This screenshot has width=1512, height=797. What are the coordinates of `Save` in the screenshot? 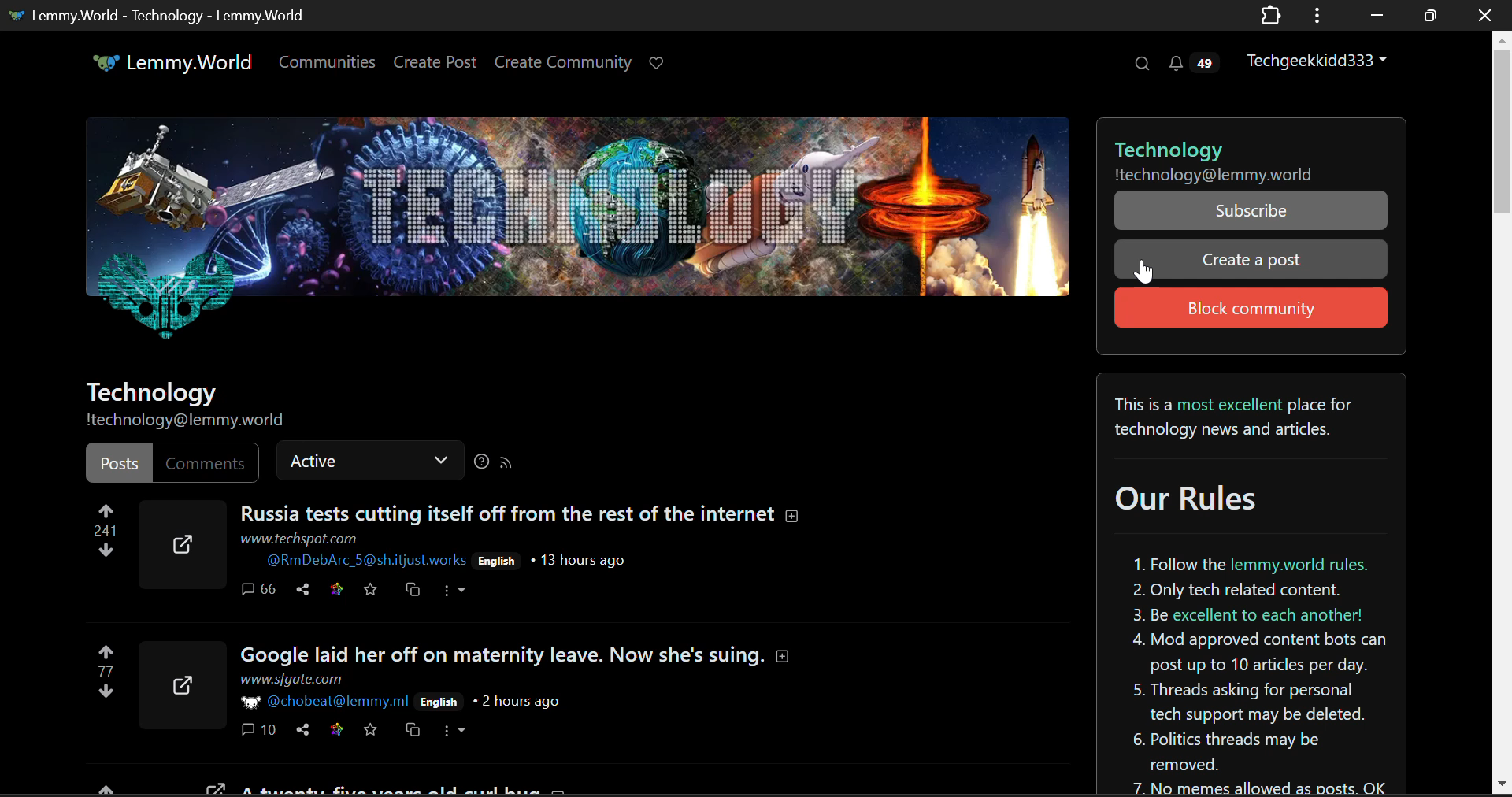 It's located at (370, 730).